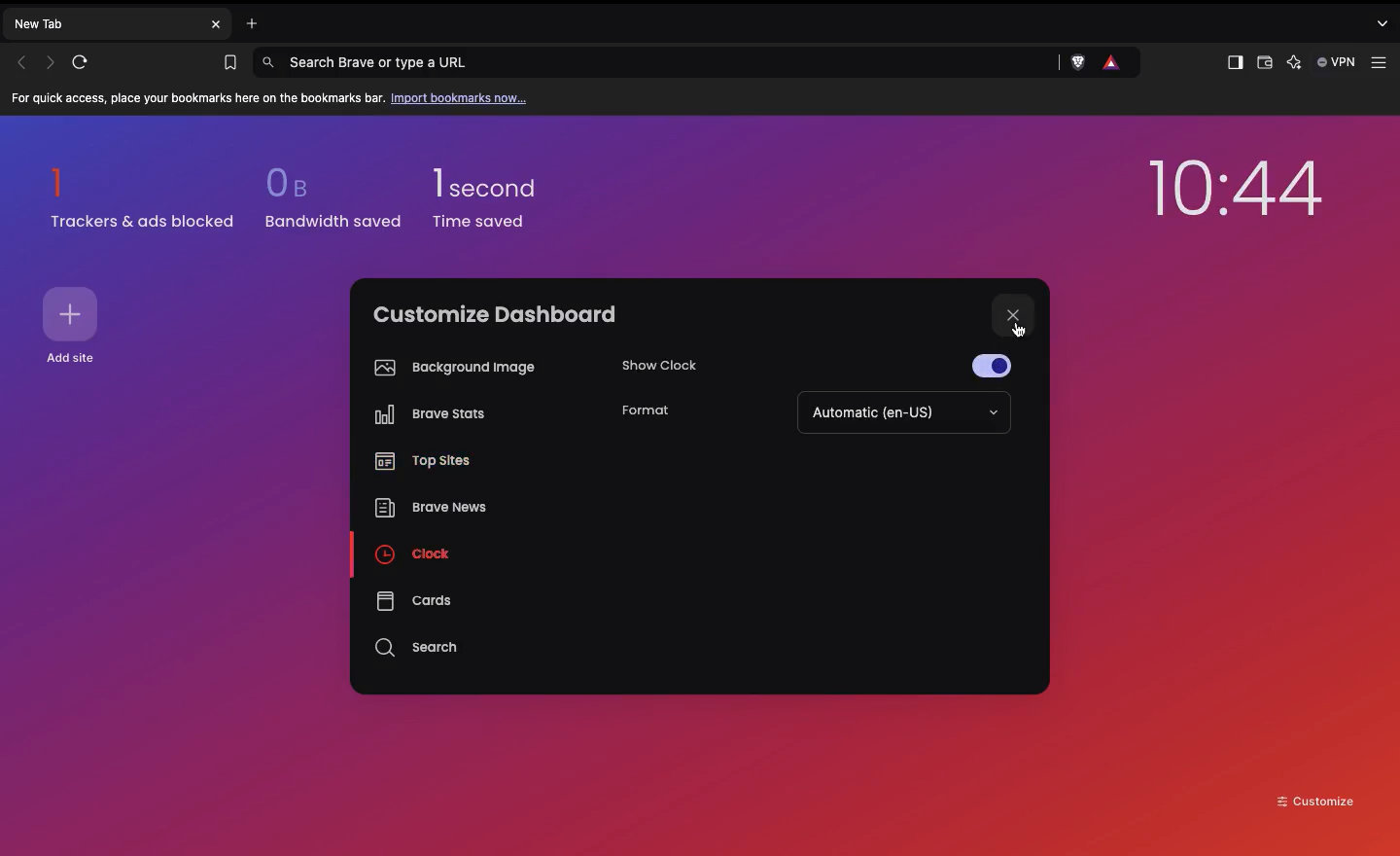 The image size is (1400, 856). Describe the element at coordinates (450, 368) in the screenshot. I see `Background image` at that location.